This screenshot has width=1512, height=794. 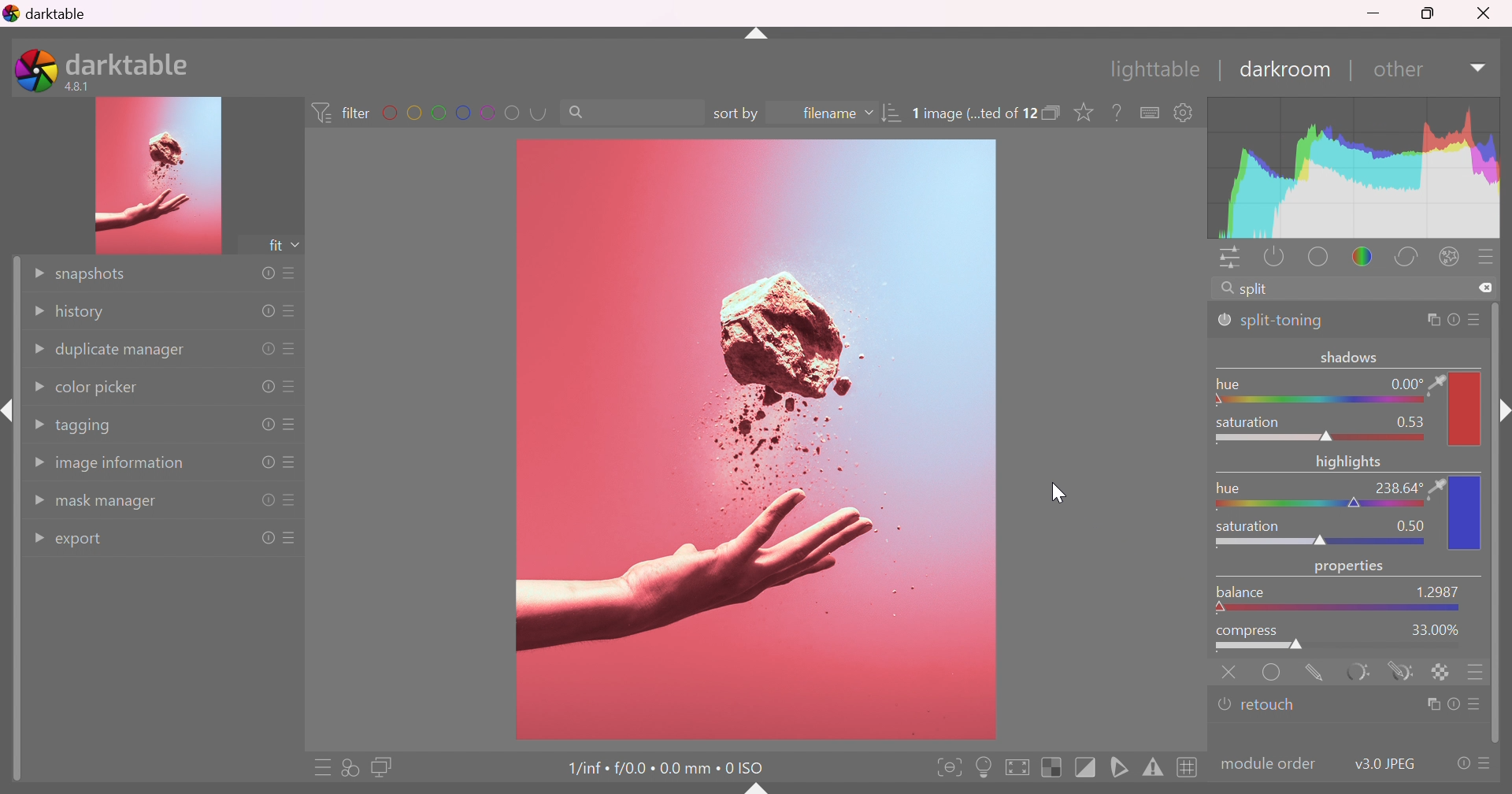 What do you see at coordinates (268, 499) in the screenshot?
I see `reset` at bounding box center [268, 499].